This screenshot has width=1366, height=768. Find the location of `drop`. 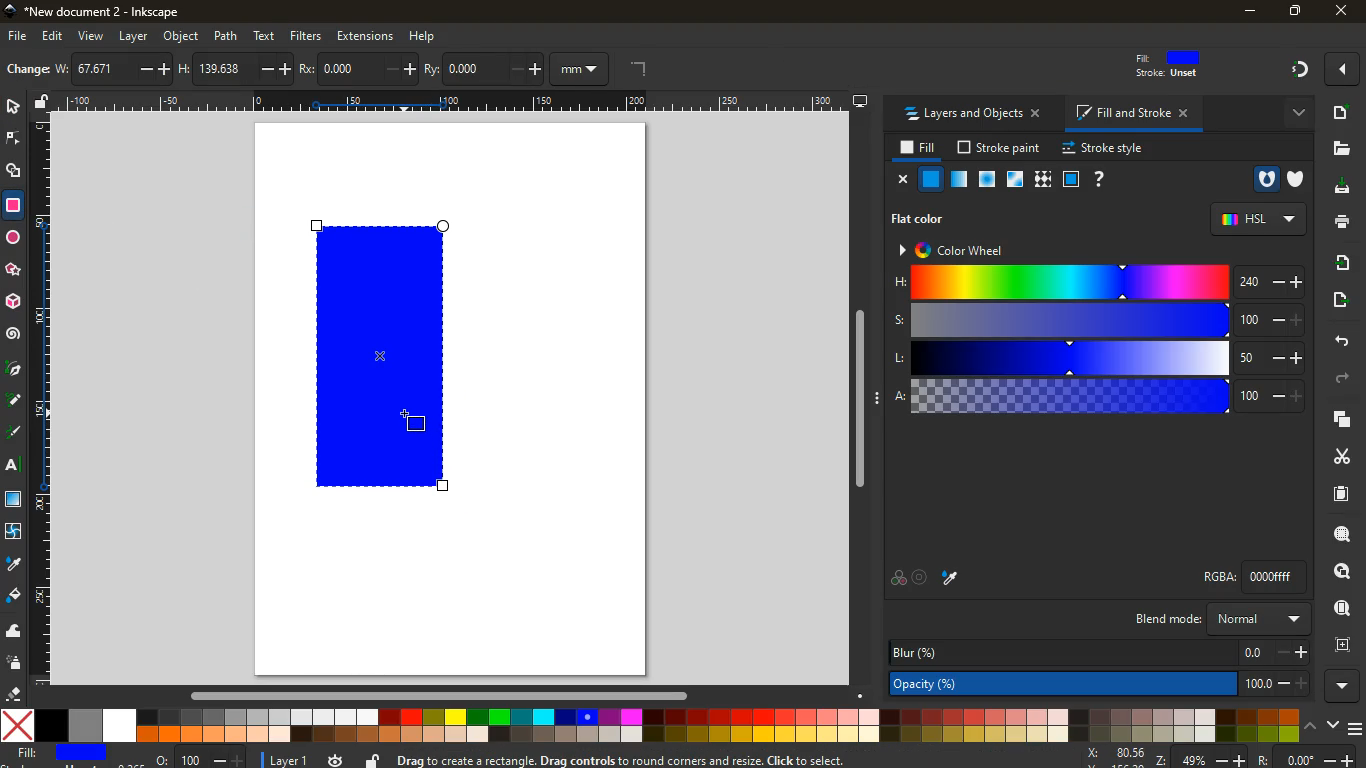

drop is located at coordinates (952, 578).